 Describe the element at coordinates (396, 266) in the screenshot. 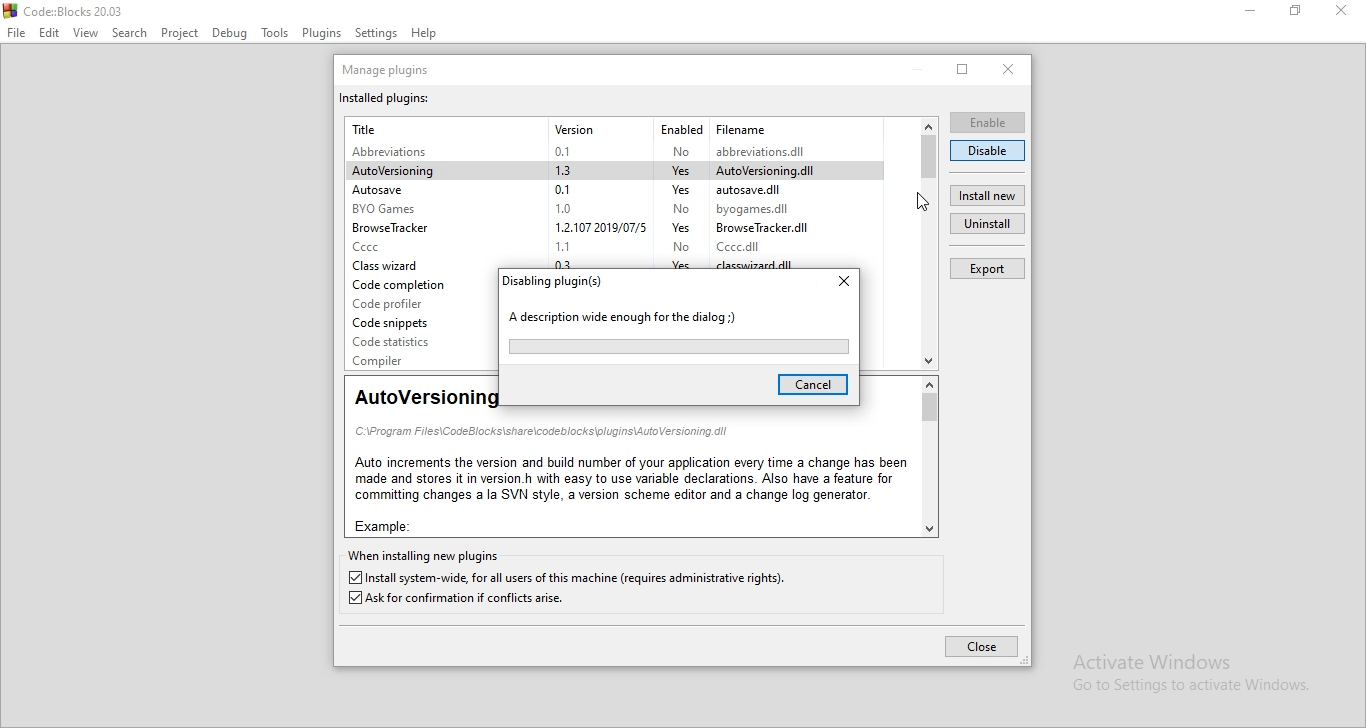

I see `Class wizard` at that location.